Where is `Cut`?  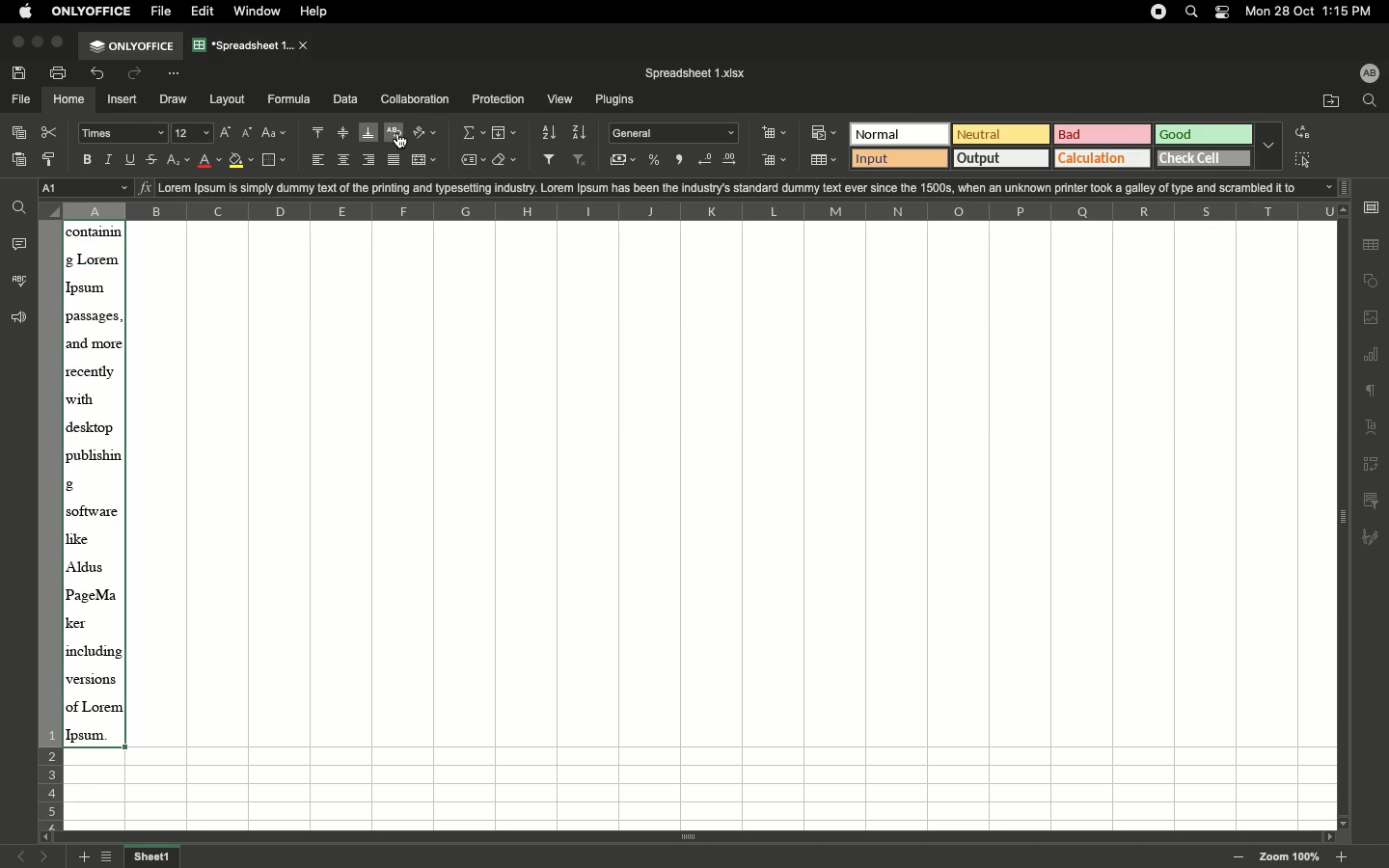
Cut is located at coordinates (54, 132).